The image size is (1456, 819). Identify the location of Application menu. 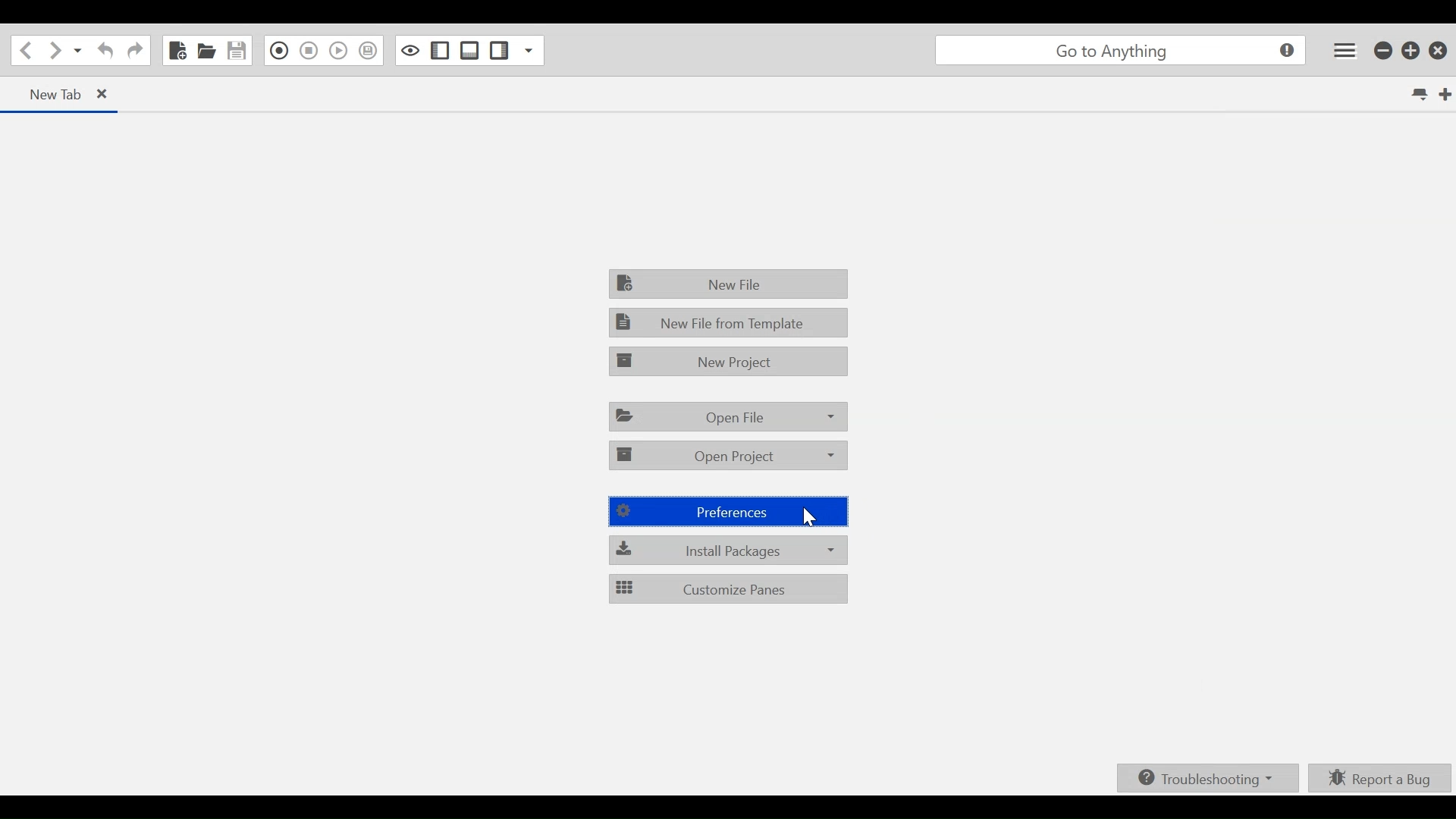
(1341, 50).